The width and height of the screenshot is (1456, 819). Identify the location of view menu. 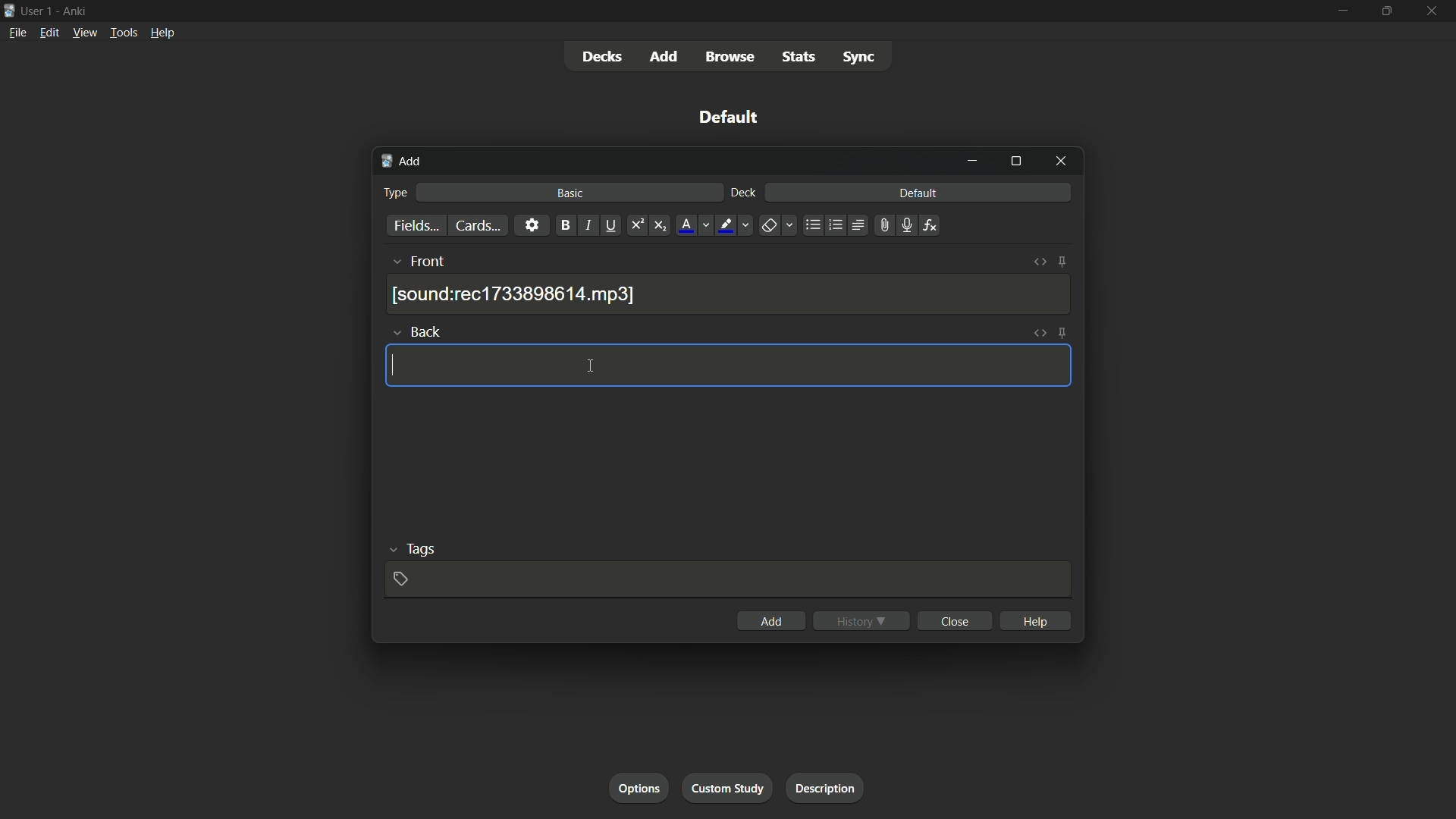
(85, 33).